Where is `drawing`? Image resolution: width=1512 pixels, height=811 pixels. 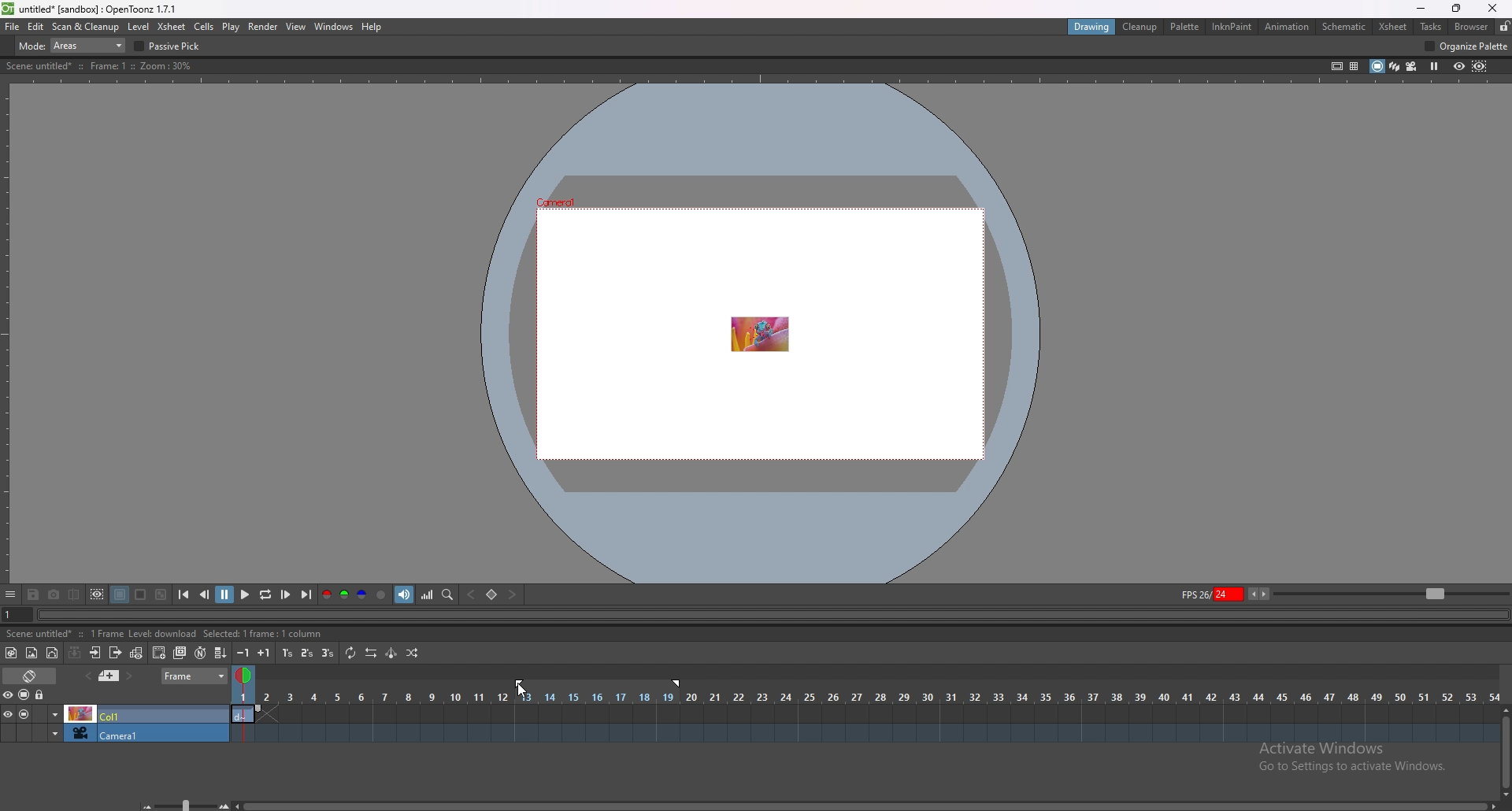
drawing is located at coordinates (1094, 27).